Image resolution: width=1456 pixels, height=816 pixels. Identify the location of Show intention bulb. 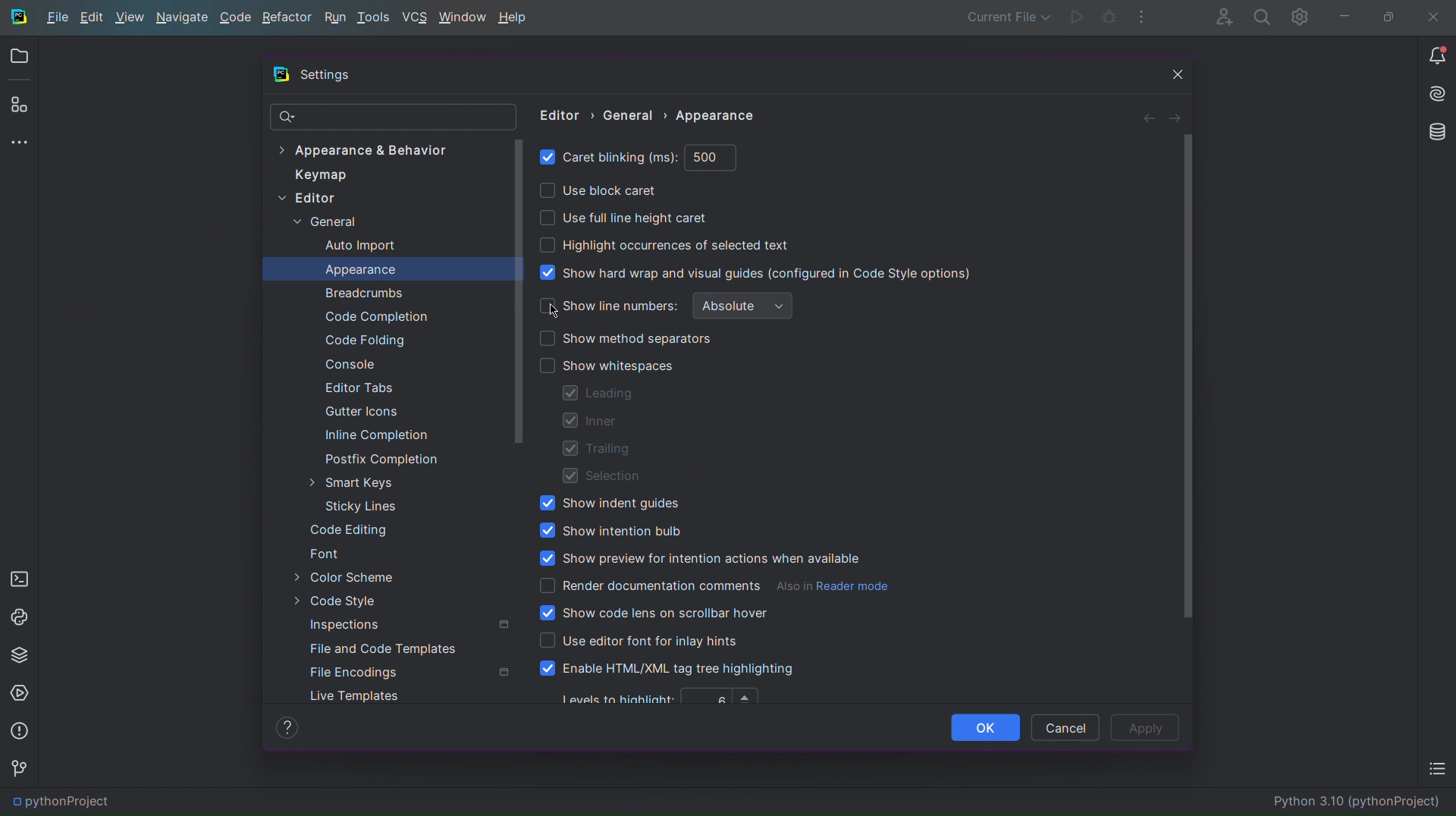
(611, 529).